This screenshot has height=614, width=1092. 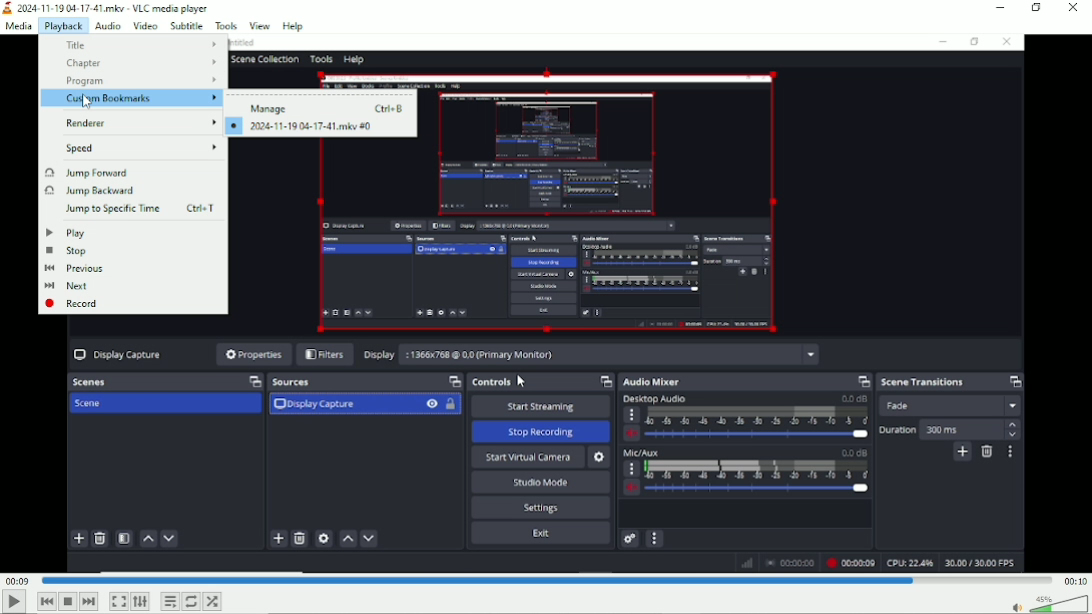 I want to click on Next, so click(x=67, y=286).